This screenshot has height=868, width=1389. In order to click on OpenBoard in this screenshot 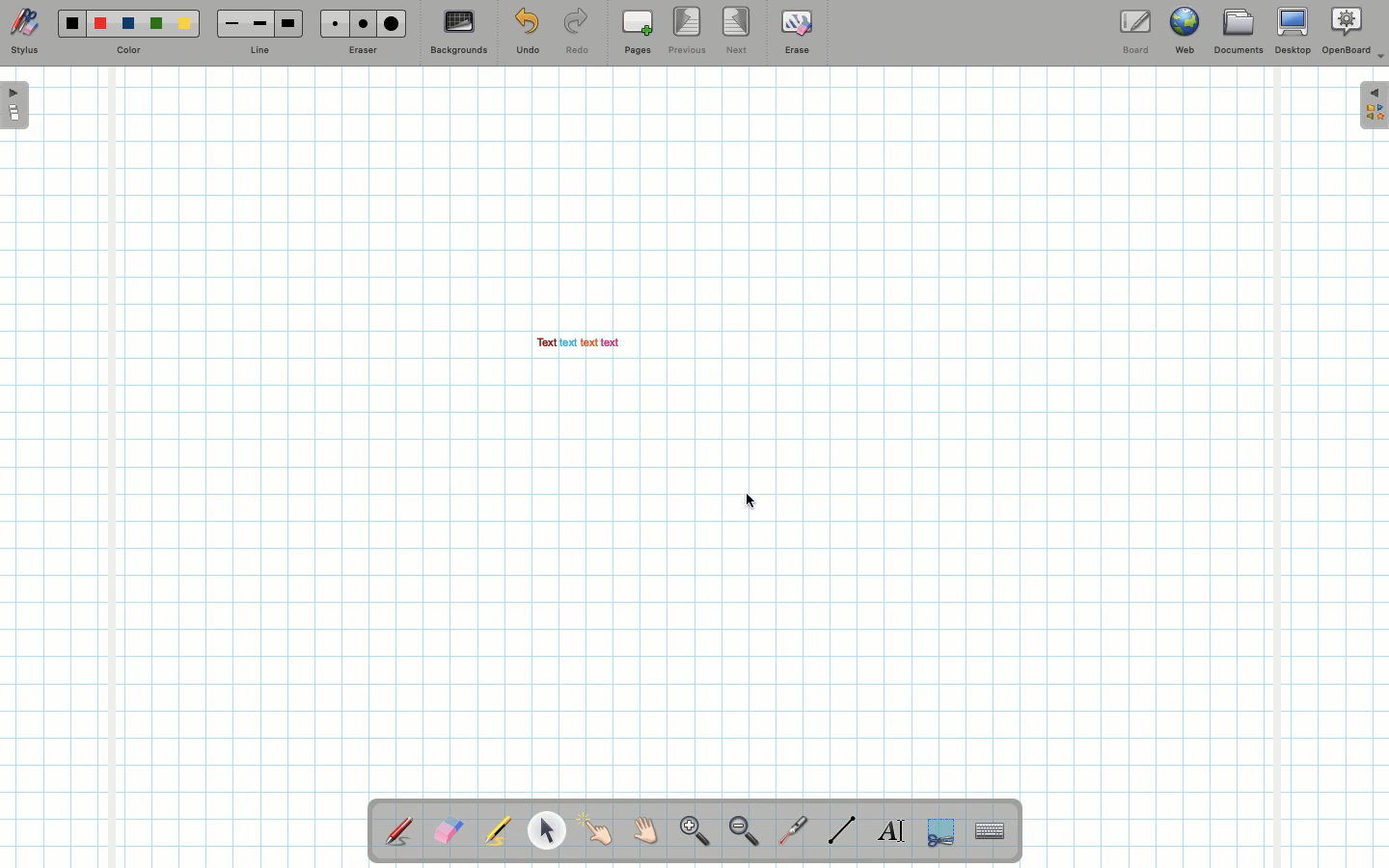, I will do `click(1353, 31)`.